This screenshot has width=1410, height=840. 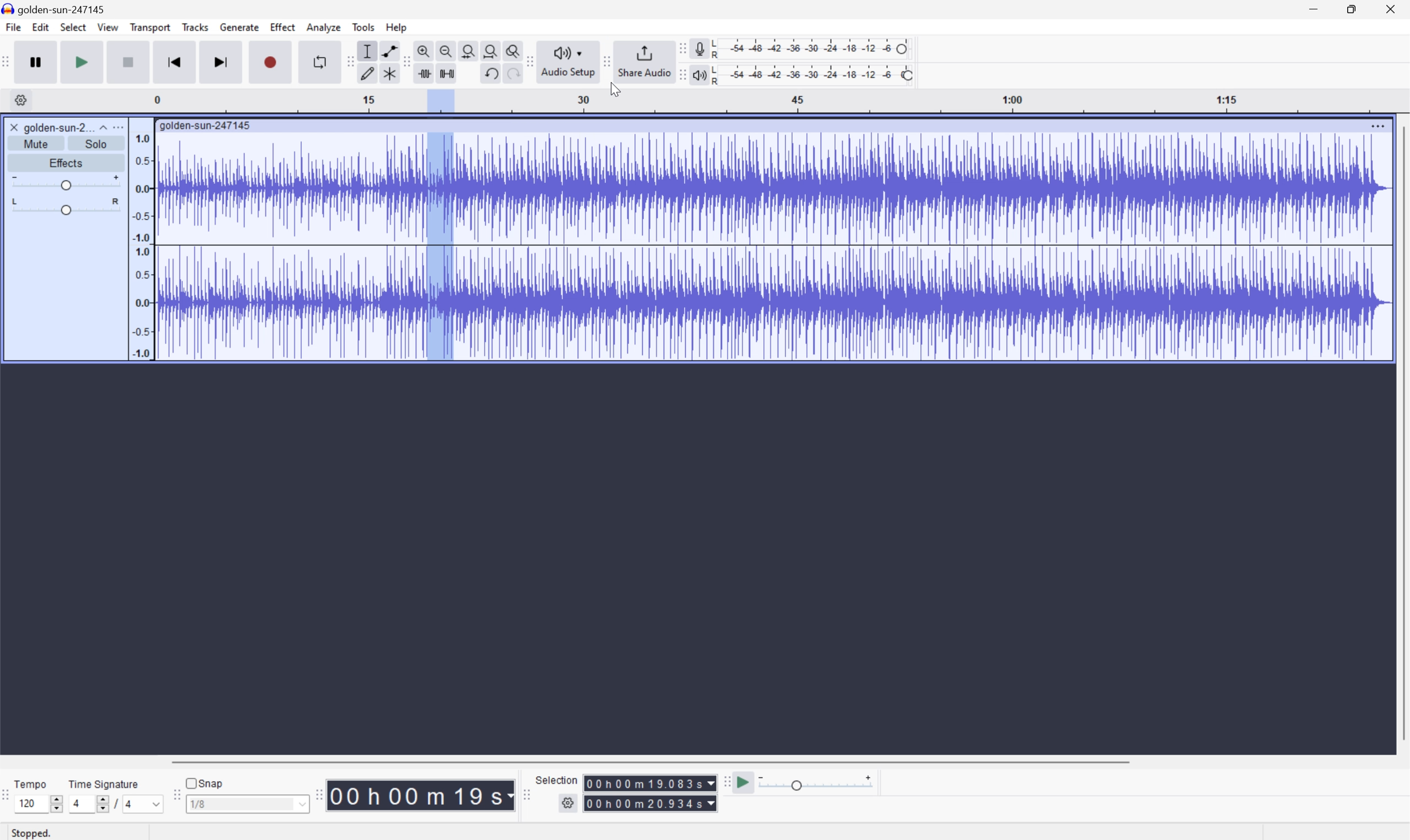 I want to click on Tracks, so click(x=195, y=27).